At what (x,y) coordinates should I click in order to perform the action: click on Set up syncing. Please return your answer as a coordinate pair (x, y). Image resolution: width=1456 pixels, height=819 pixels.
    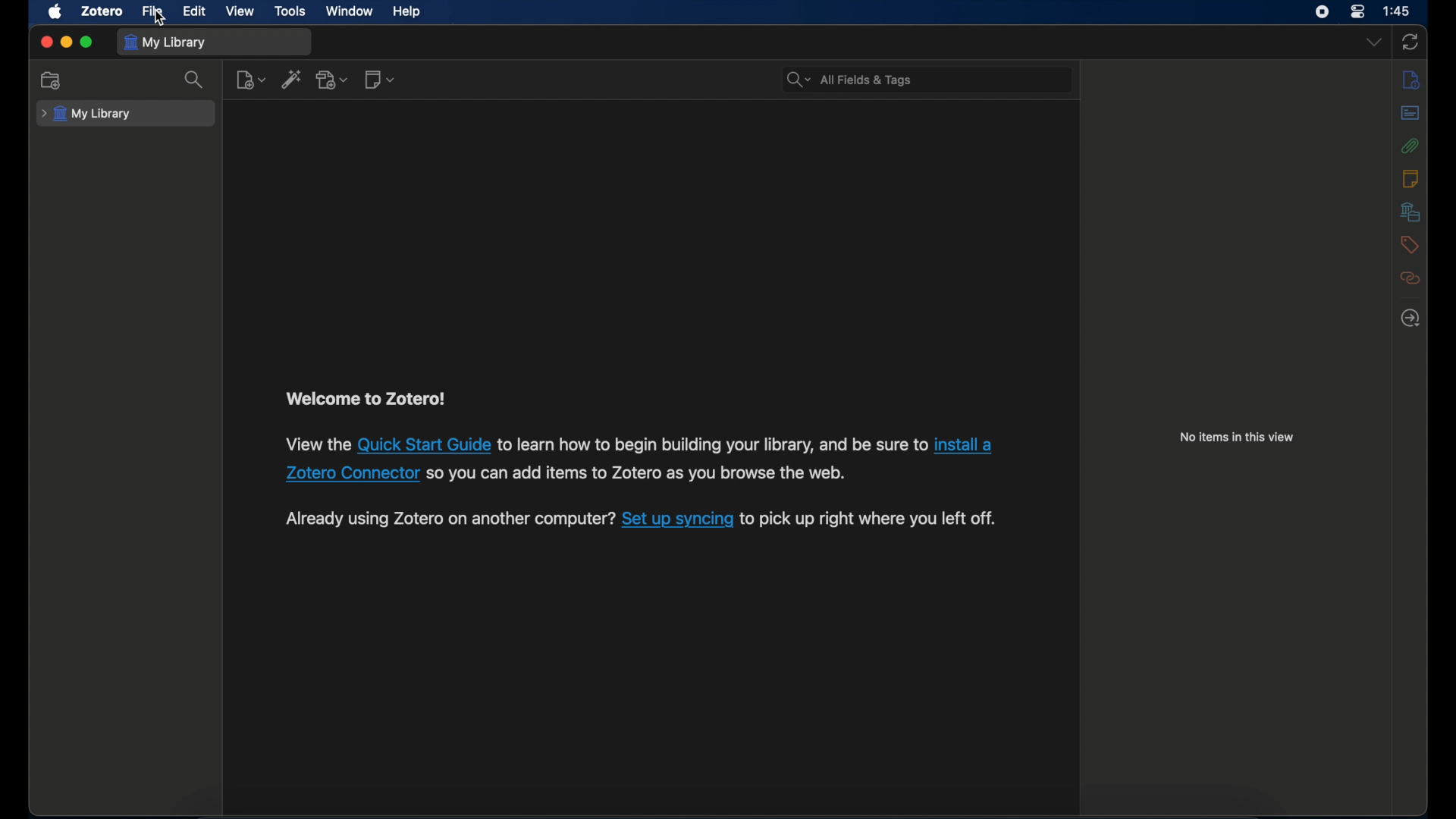
    Looking at the image, I should click on (678, 518).